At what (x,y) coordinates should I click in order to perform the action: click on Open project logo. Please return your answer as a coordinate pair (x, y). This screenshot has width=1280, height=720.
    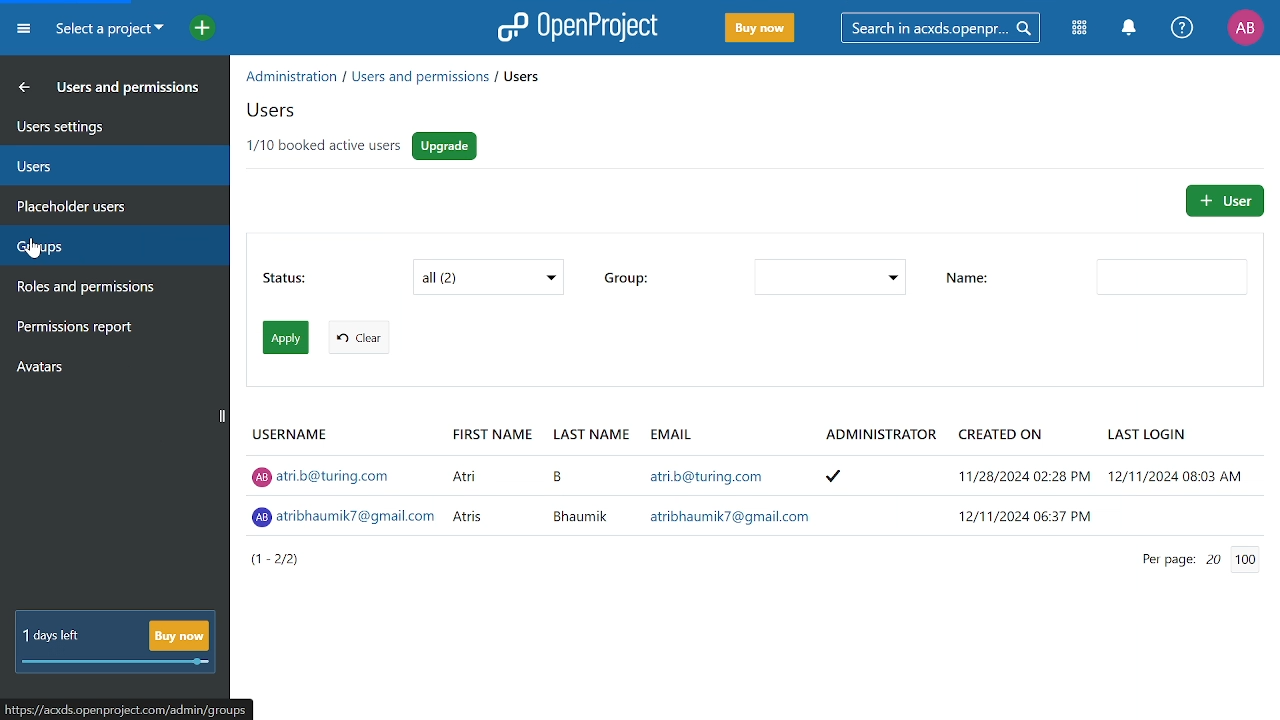
    Looking at the image, I should click on (578, 27).